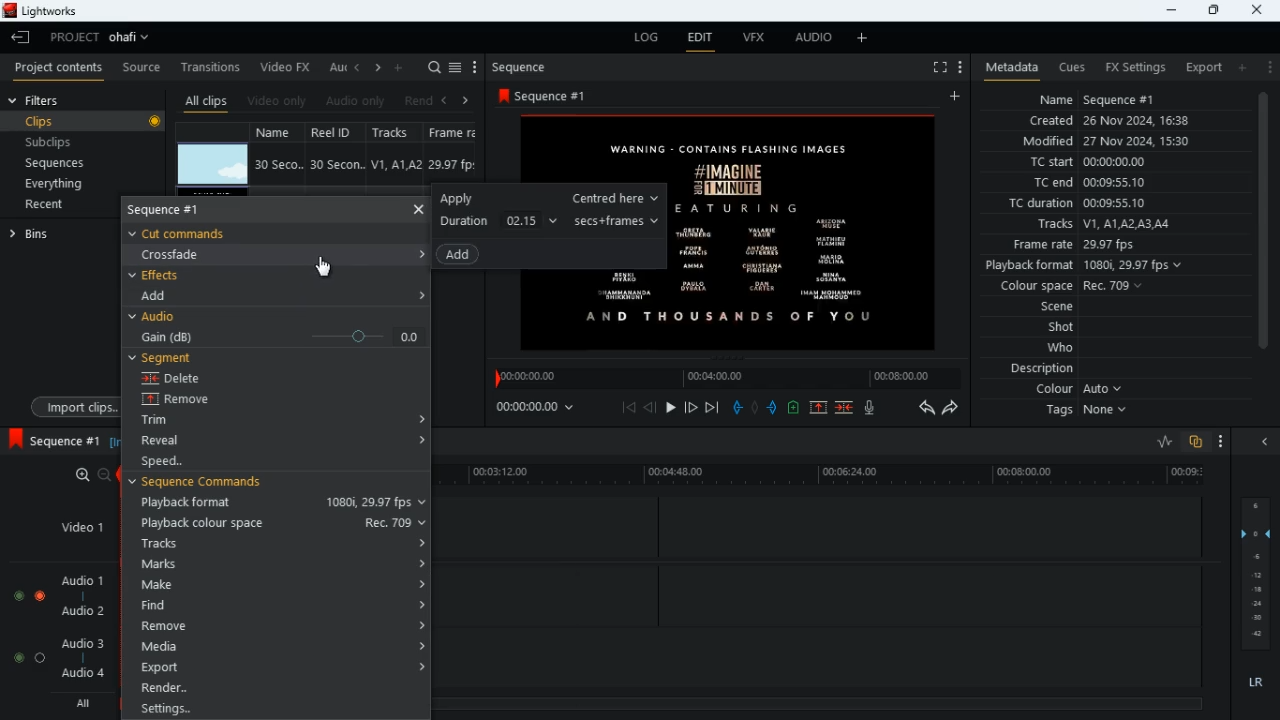 This screenshot has width=1280, height=720. I want to click on tracks, so click(282, 543).